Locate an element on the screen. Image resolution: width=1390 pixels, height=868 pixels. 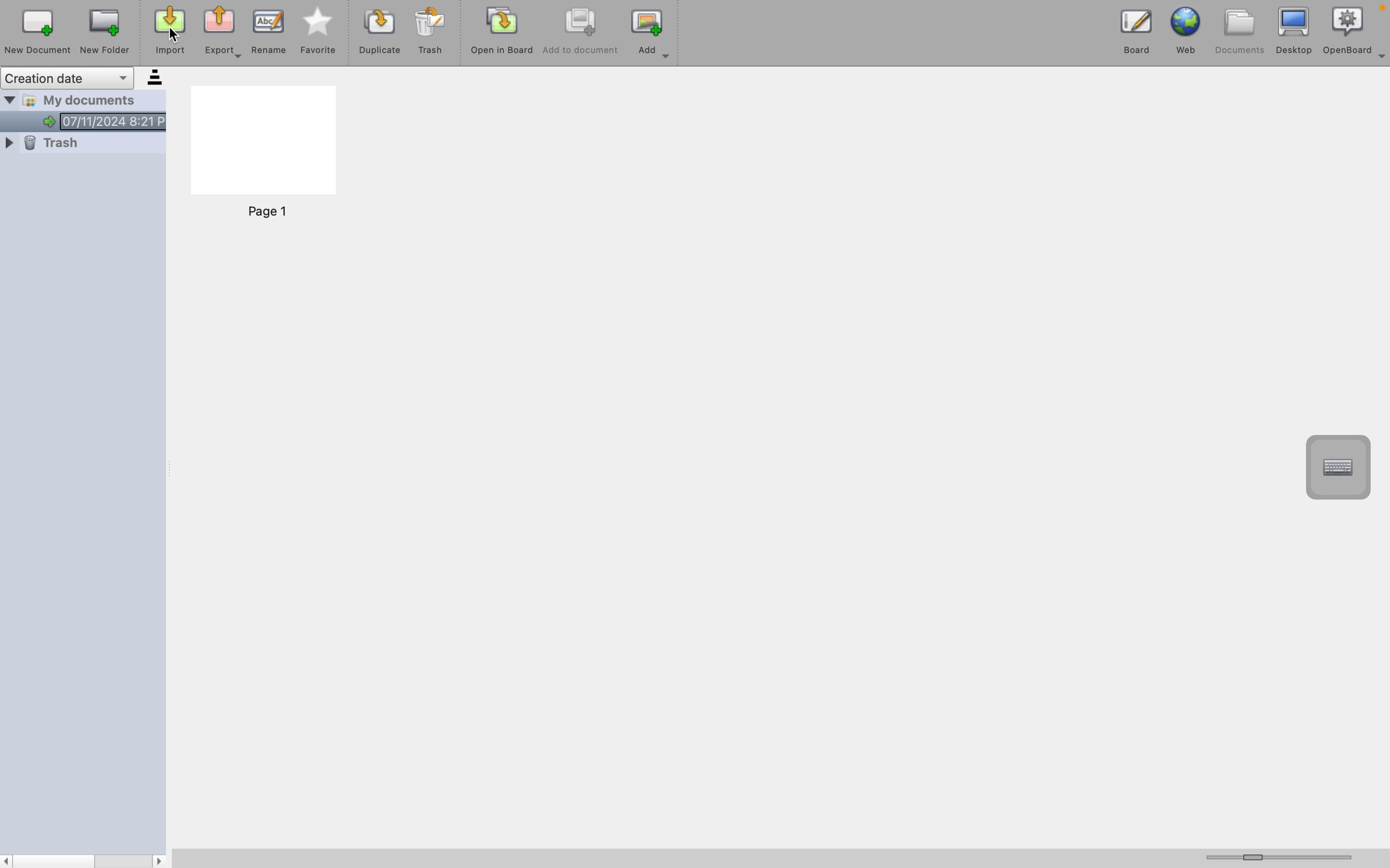
openboard is located at coordinates (1348, 29).